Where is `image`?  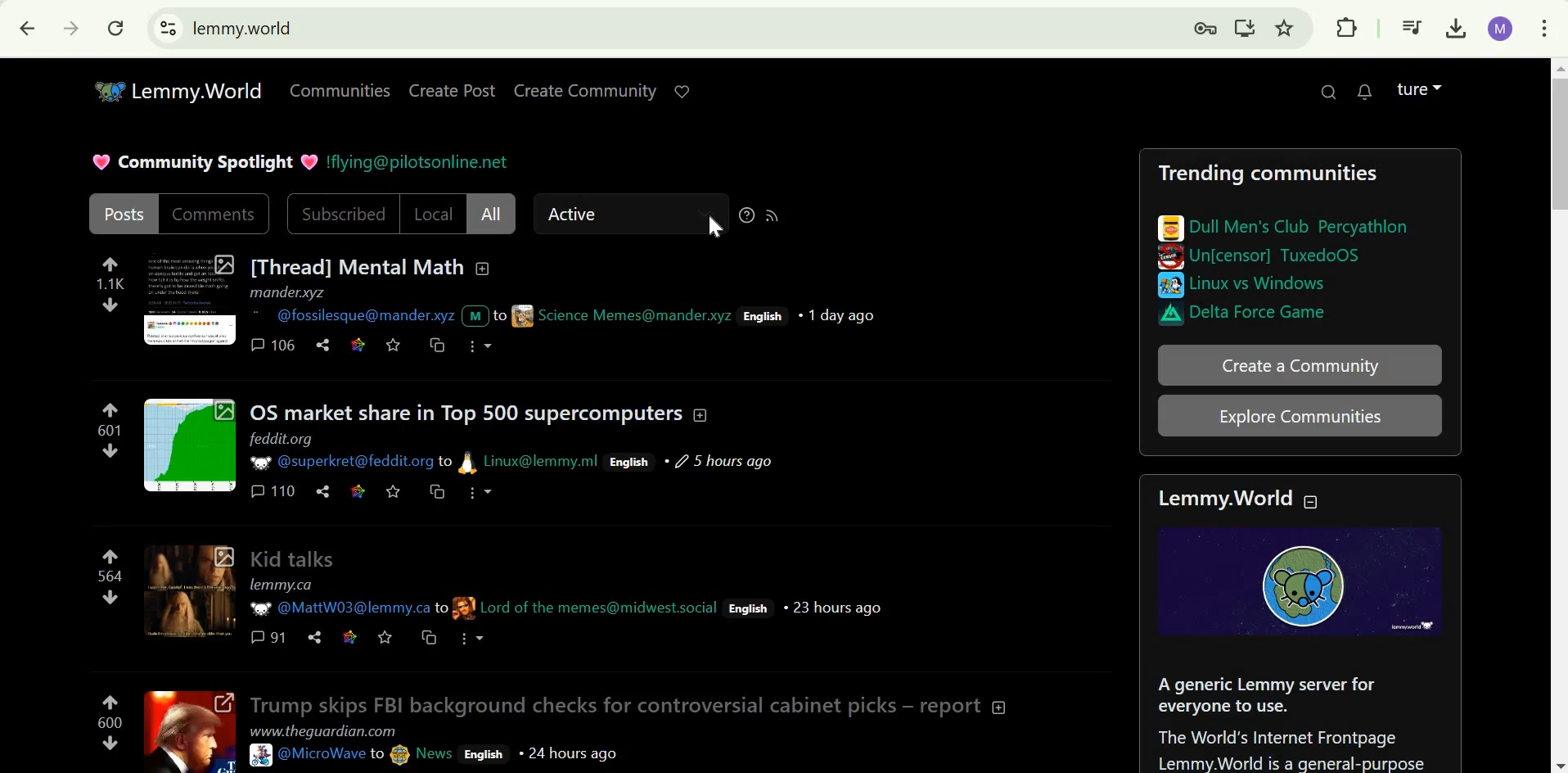 image is located at coordinates (1169, 258).